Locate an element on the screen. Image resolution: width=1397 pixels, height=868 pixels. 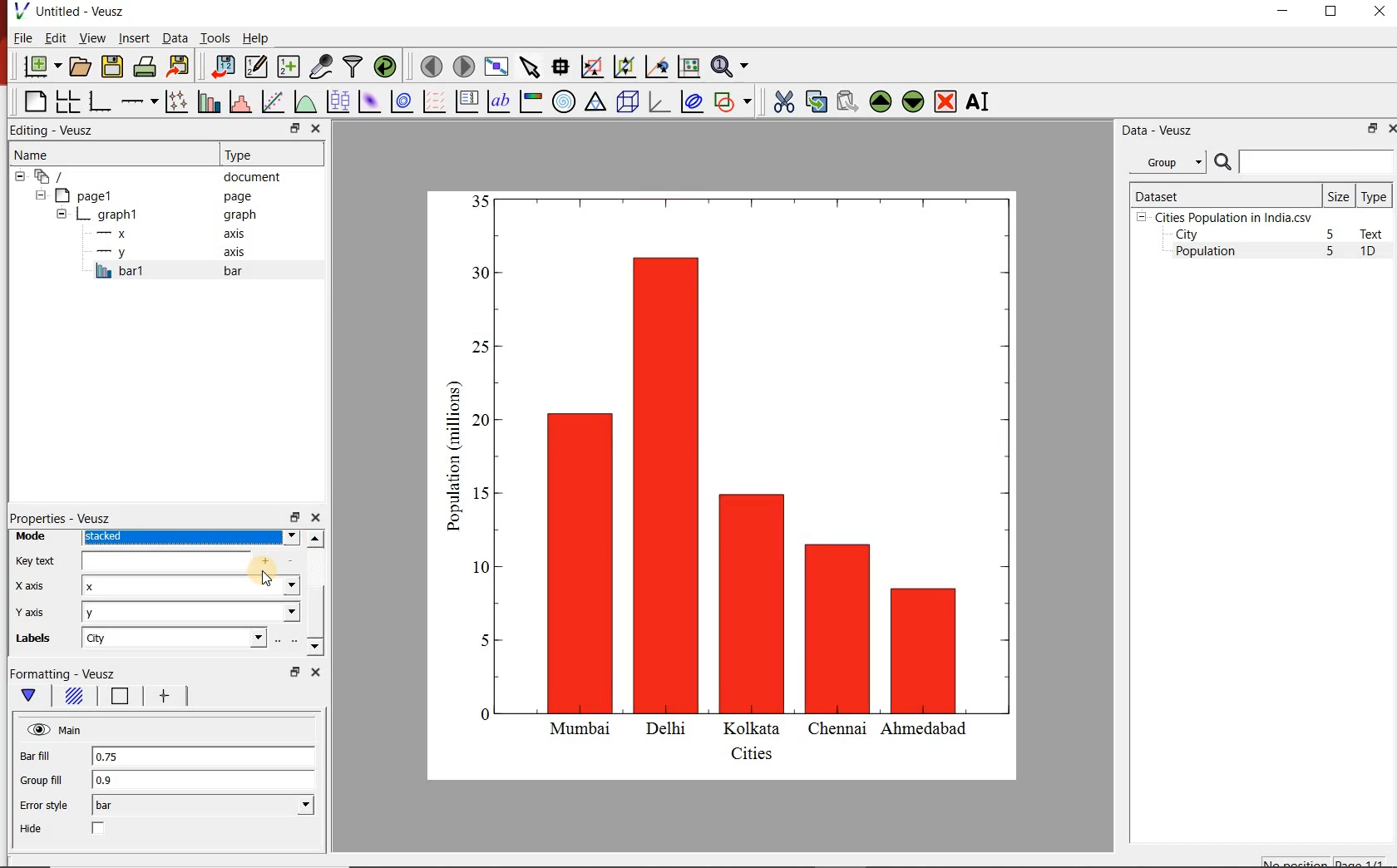
restore is located at coordinates (294, 516).